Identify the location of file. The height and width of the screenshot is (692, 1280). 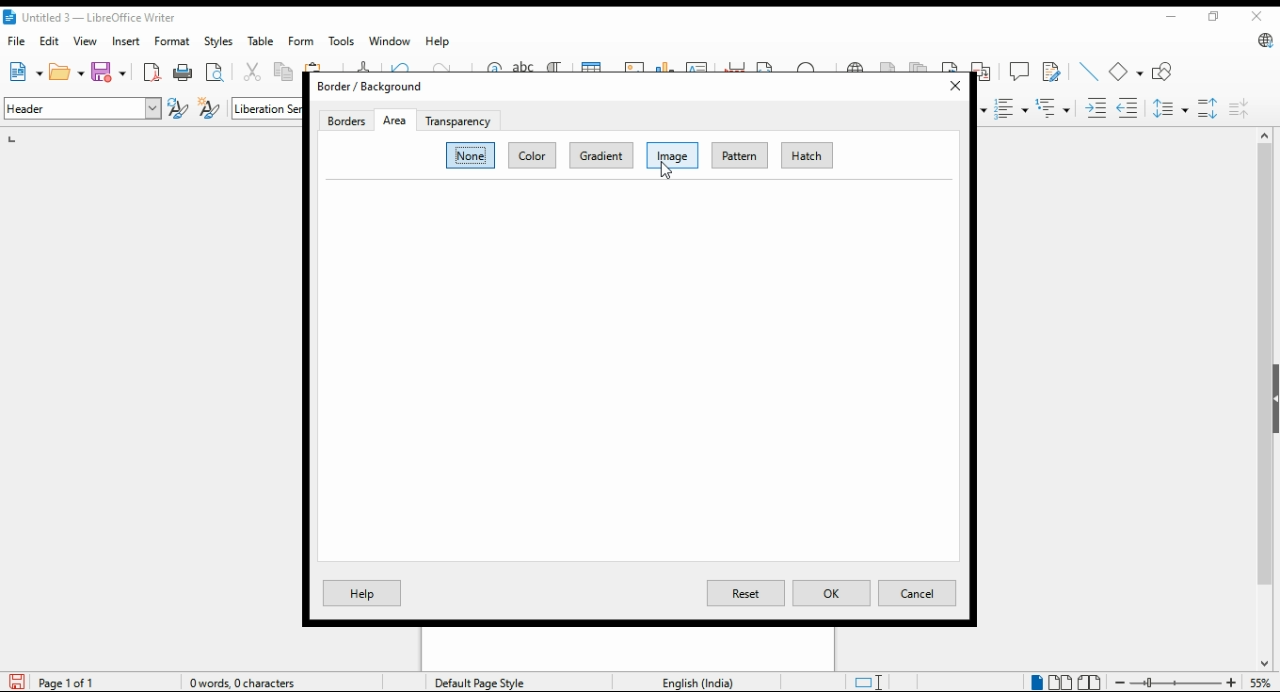
(17, 41).